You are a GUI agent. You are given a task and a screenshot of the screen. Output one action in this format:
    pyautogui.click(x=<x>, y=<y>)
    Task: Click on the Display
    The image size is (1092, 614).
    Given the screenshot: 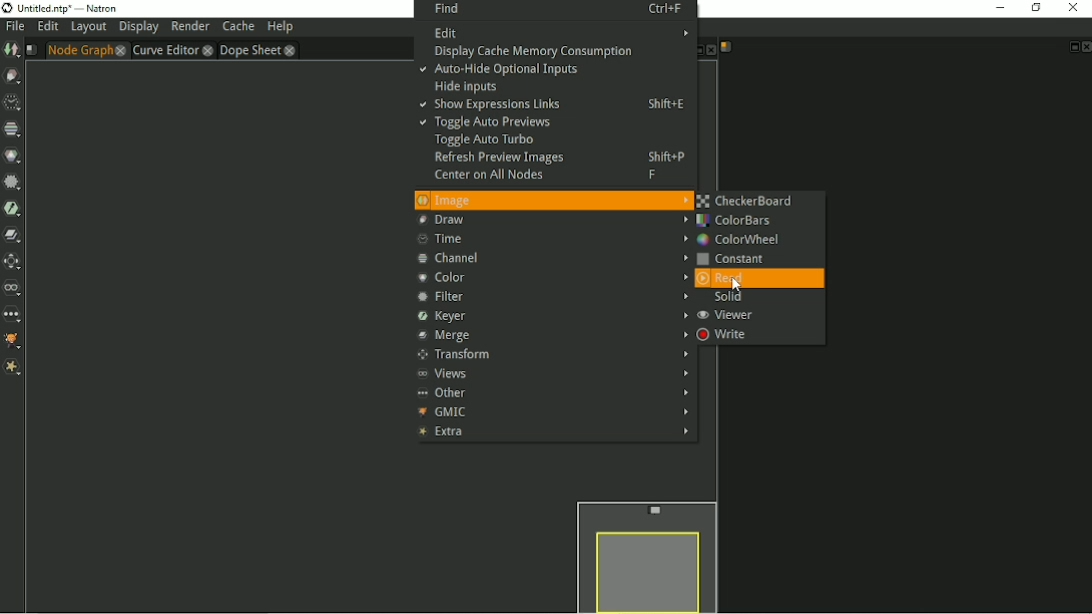 What is the action you would take?
    pyautogui.click(x=139, y=28)
    